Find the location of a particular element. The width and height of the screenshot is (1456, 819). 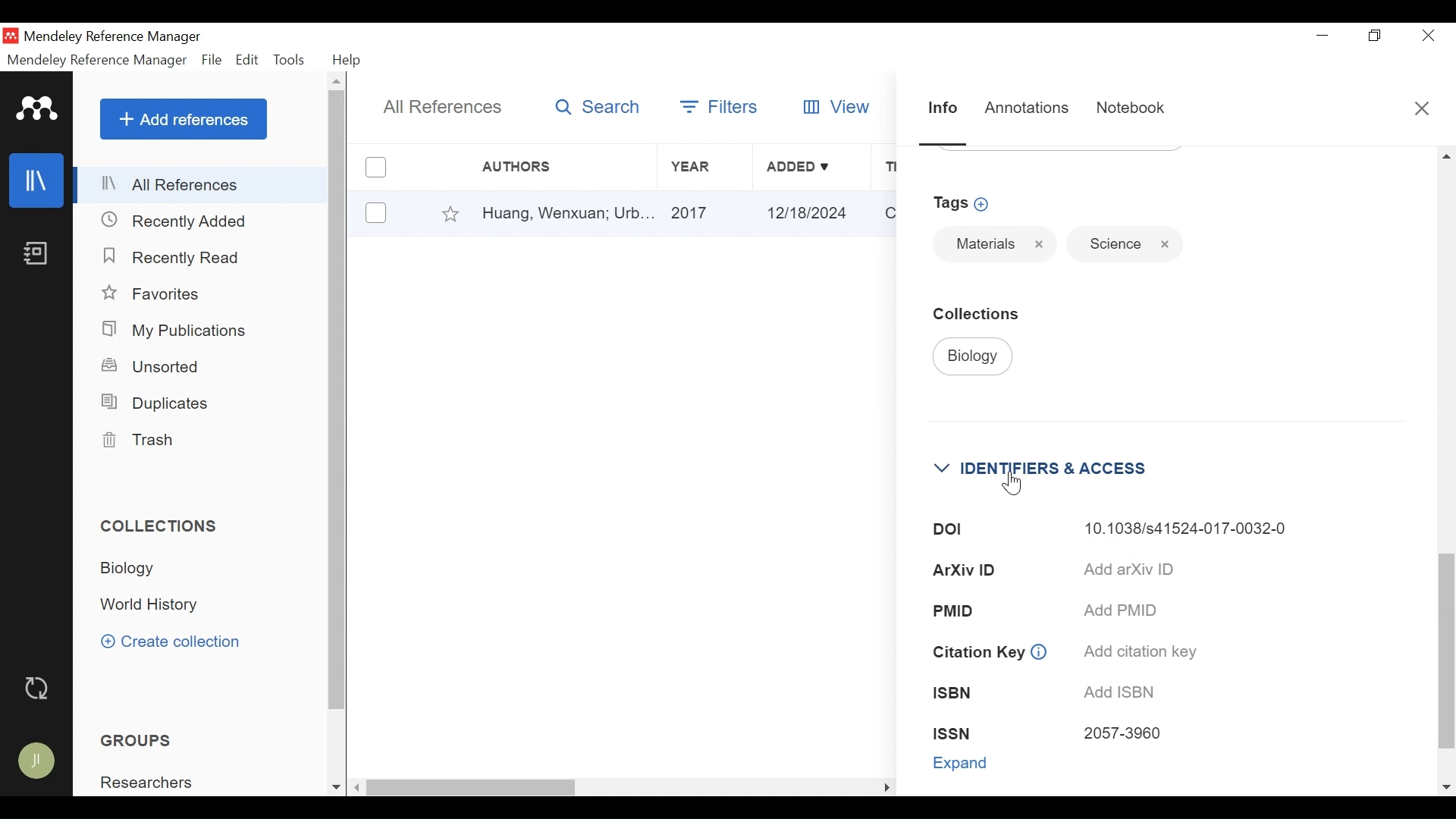

Restore is located at coordinates (1373, 35).